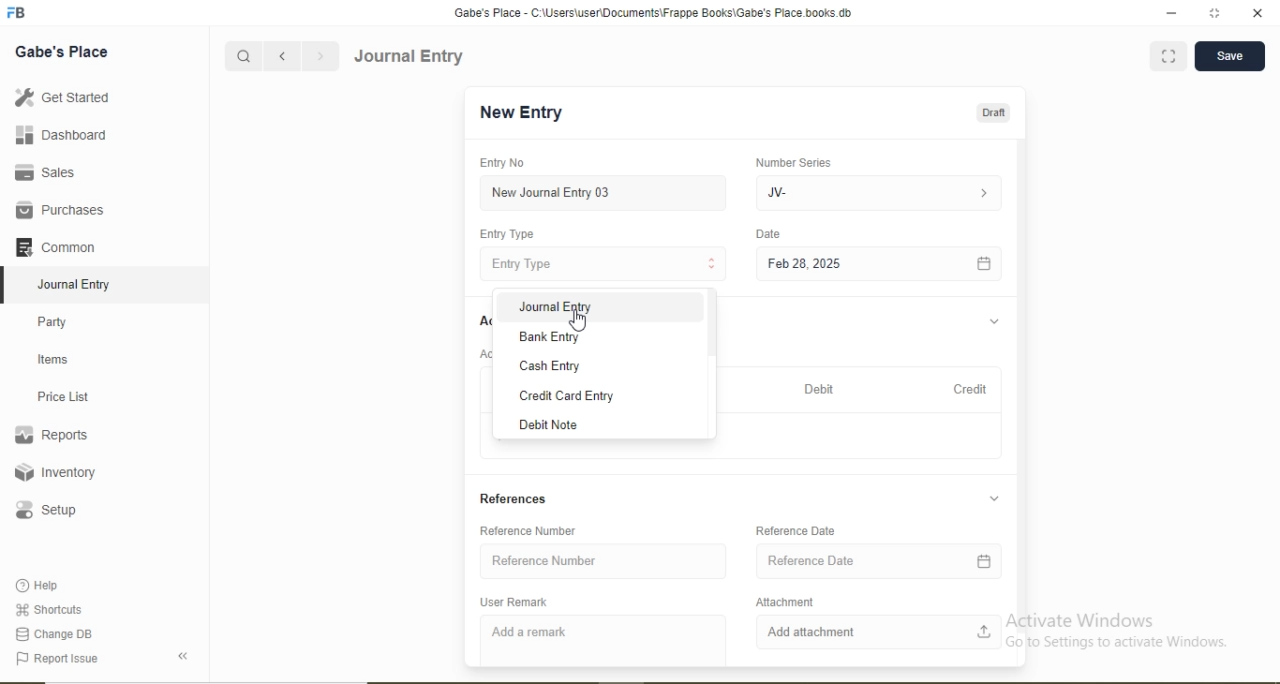 The width and height of the screenshot is (1280, 684). What do you see at coordinates (1229, 54) in the screenshot?
I see `Save` at bounding box center [1229, 54].